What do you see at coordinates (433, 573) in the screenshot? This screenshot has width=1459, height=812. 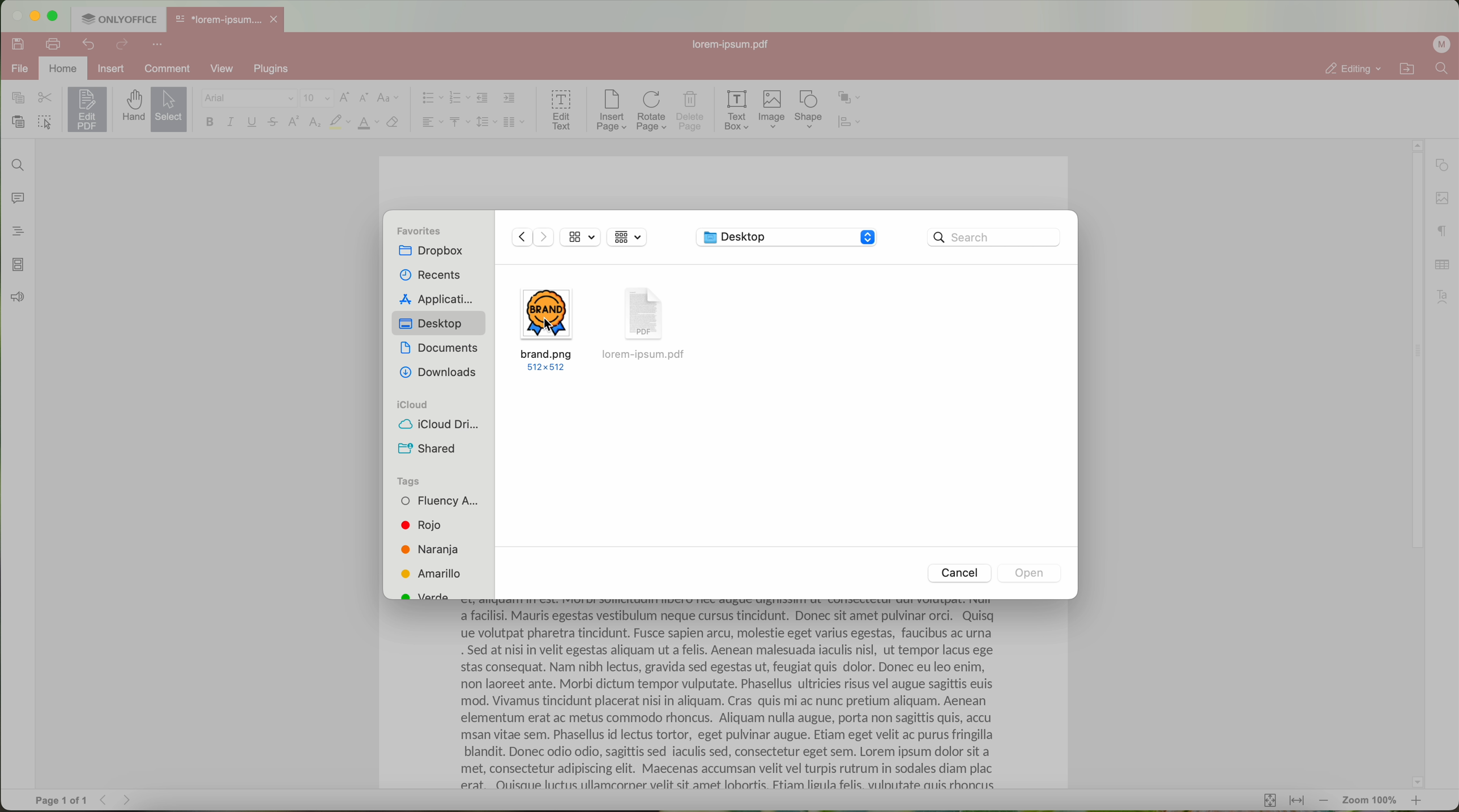 I see `Amarillo` at bounding box center [433, 573].